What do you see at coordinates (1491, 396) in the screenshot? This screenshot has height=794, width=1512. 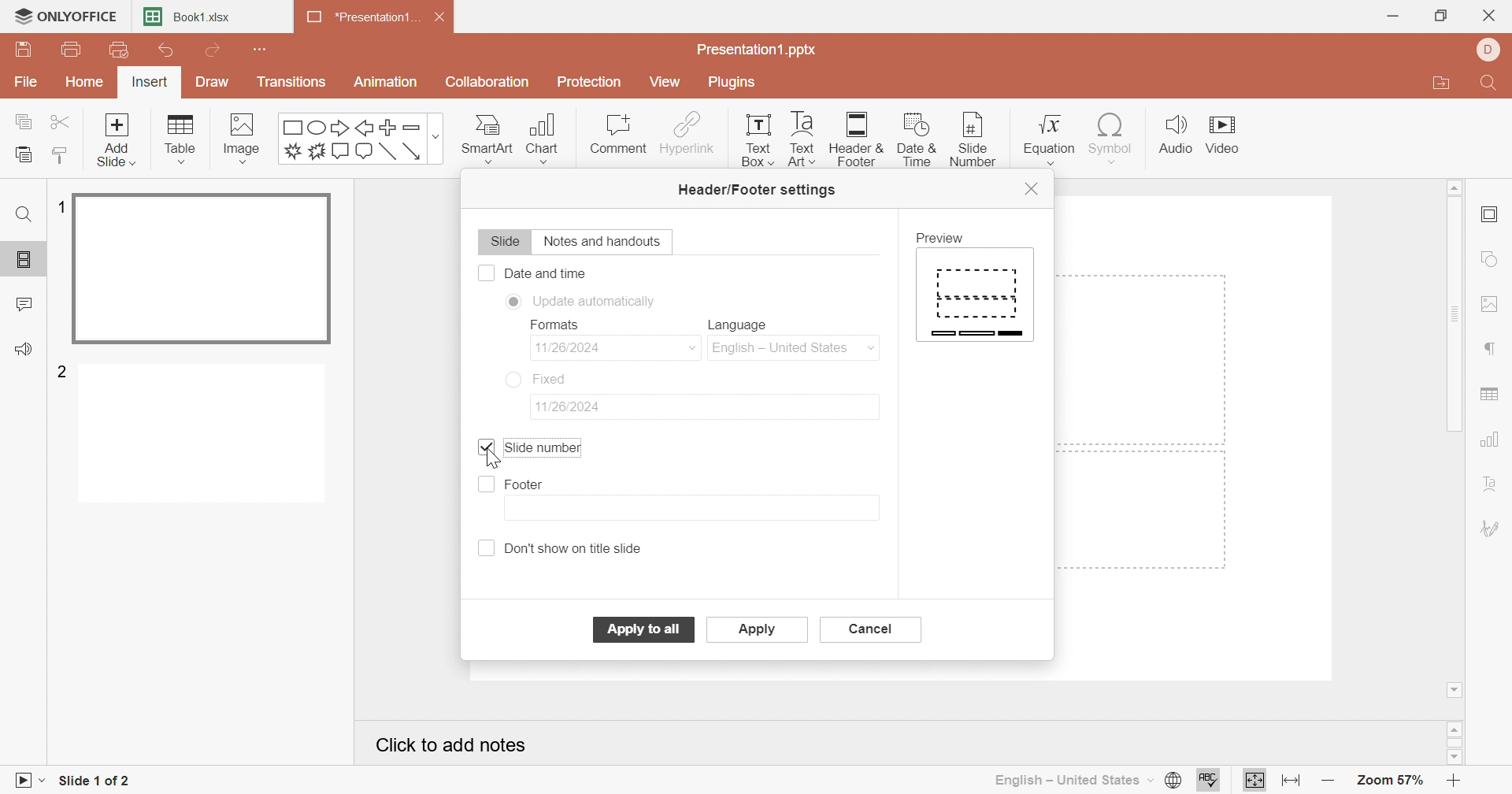 I see `Table settings` at bounding box center [1491, 396].